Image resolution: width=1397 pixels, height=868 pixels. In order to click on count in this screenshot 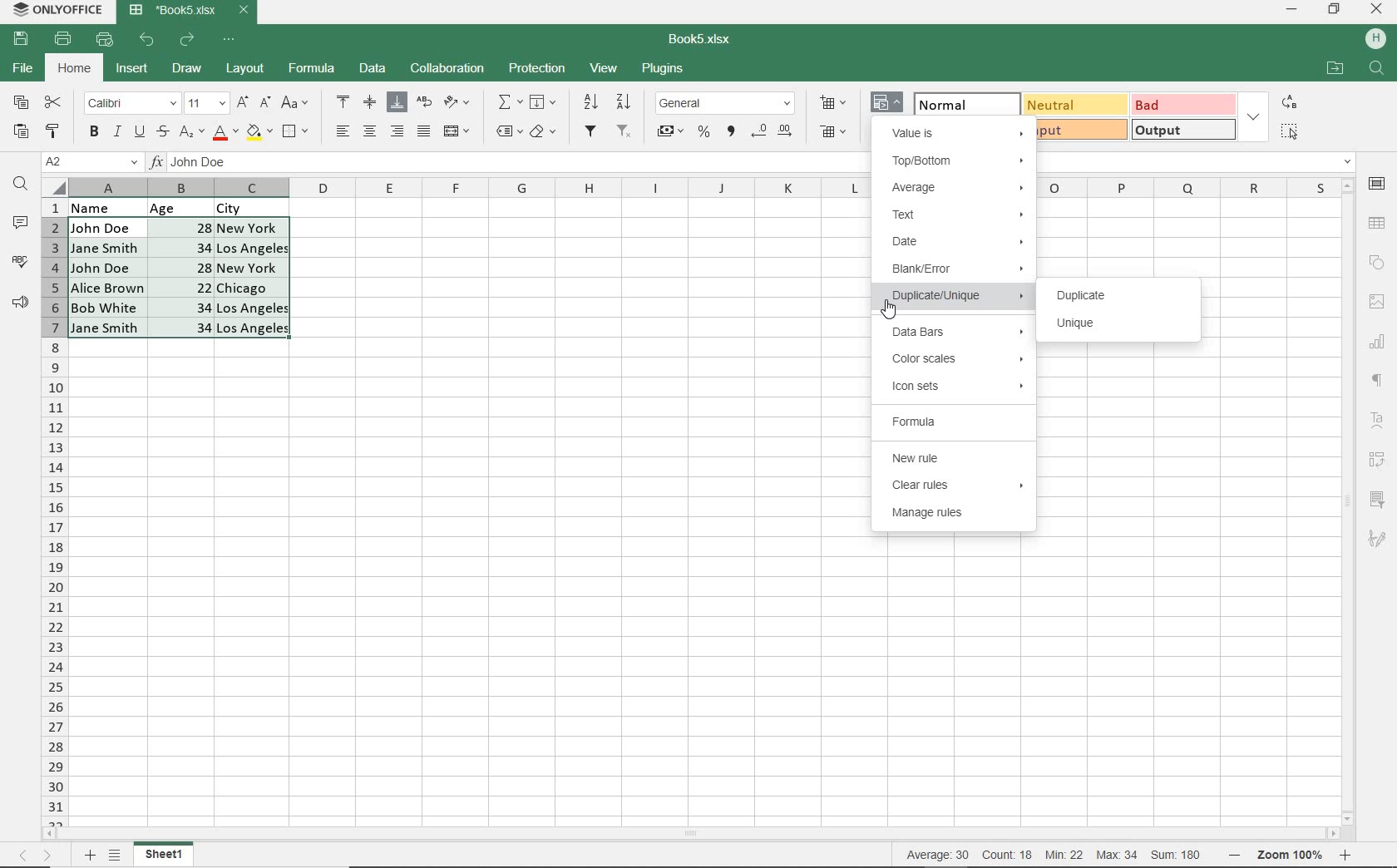, I will do `click(1006, 855)`.